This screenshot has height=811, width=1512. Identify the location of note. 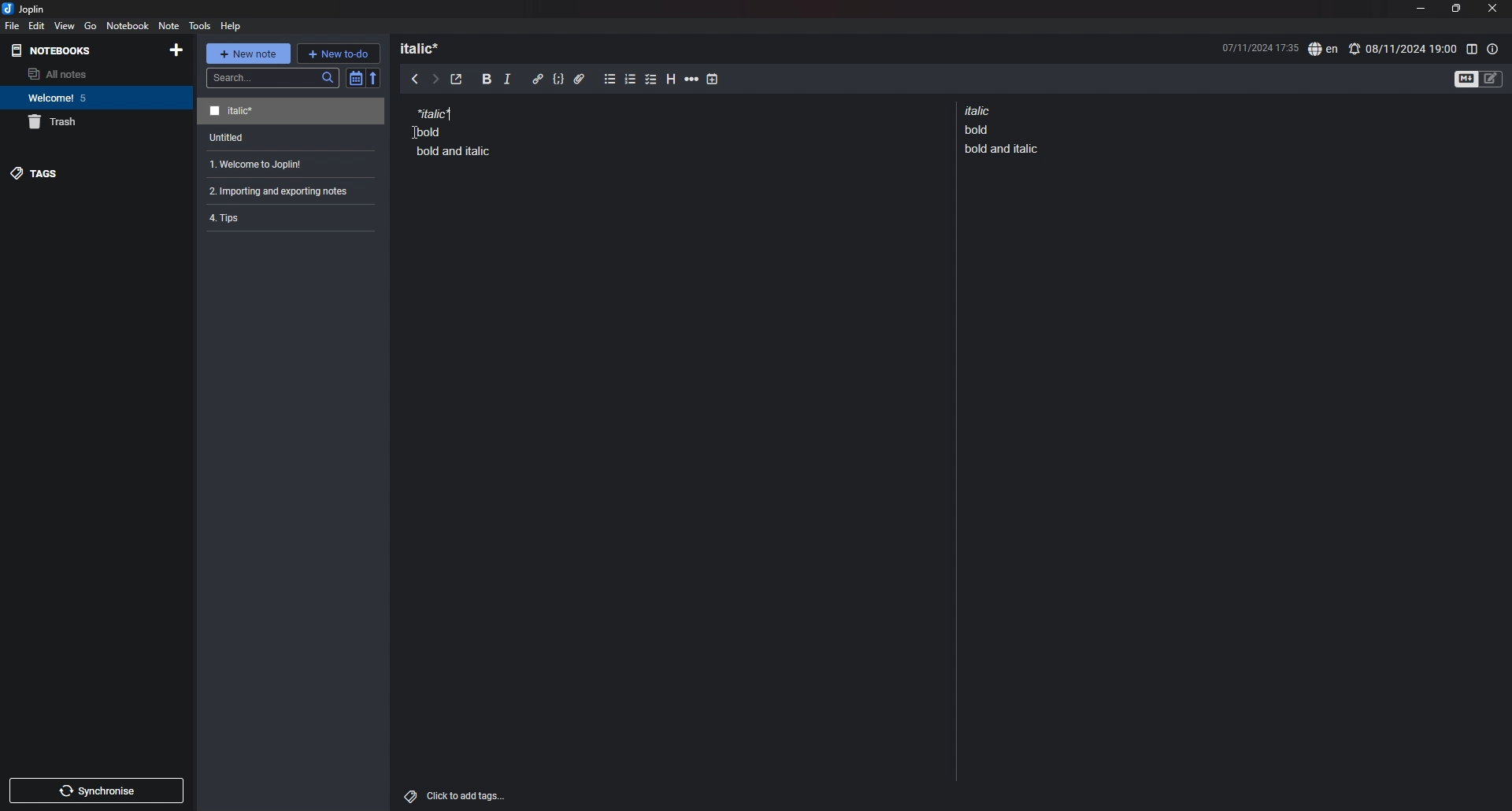
(454, 131).